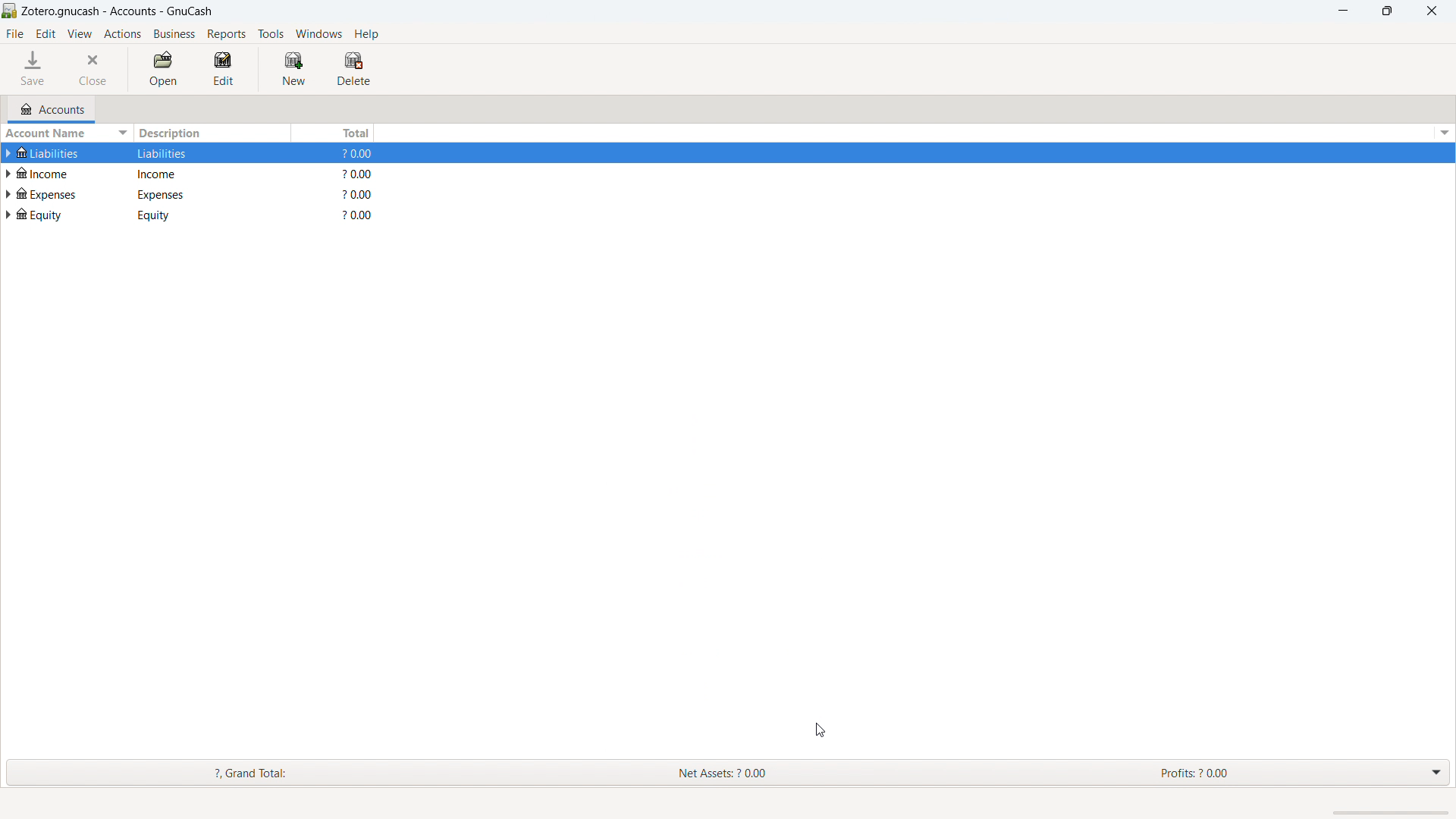  Describe the element at coordinates (52, 213) in the screenshot. I see `equity` at that location.